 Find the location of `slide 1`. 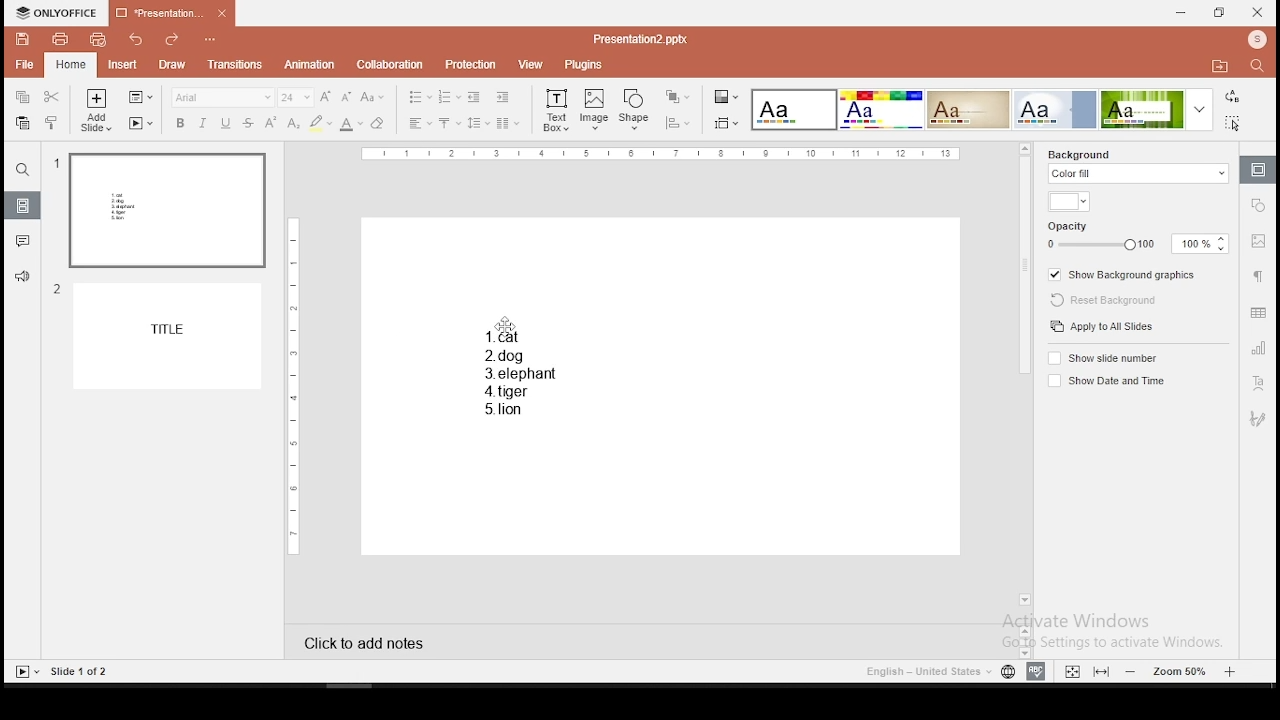

slide 1 is located at coordinates (168, 209).